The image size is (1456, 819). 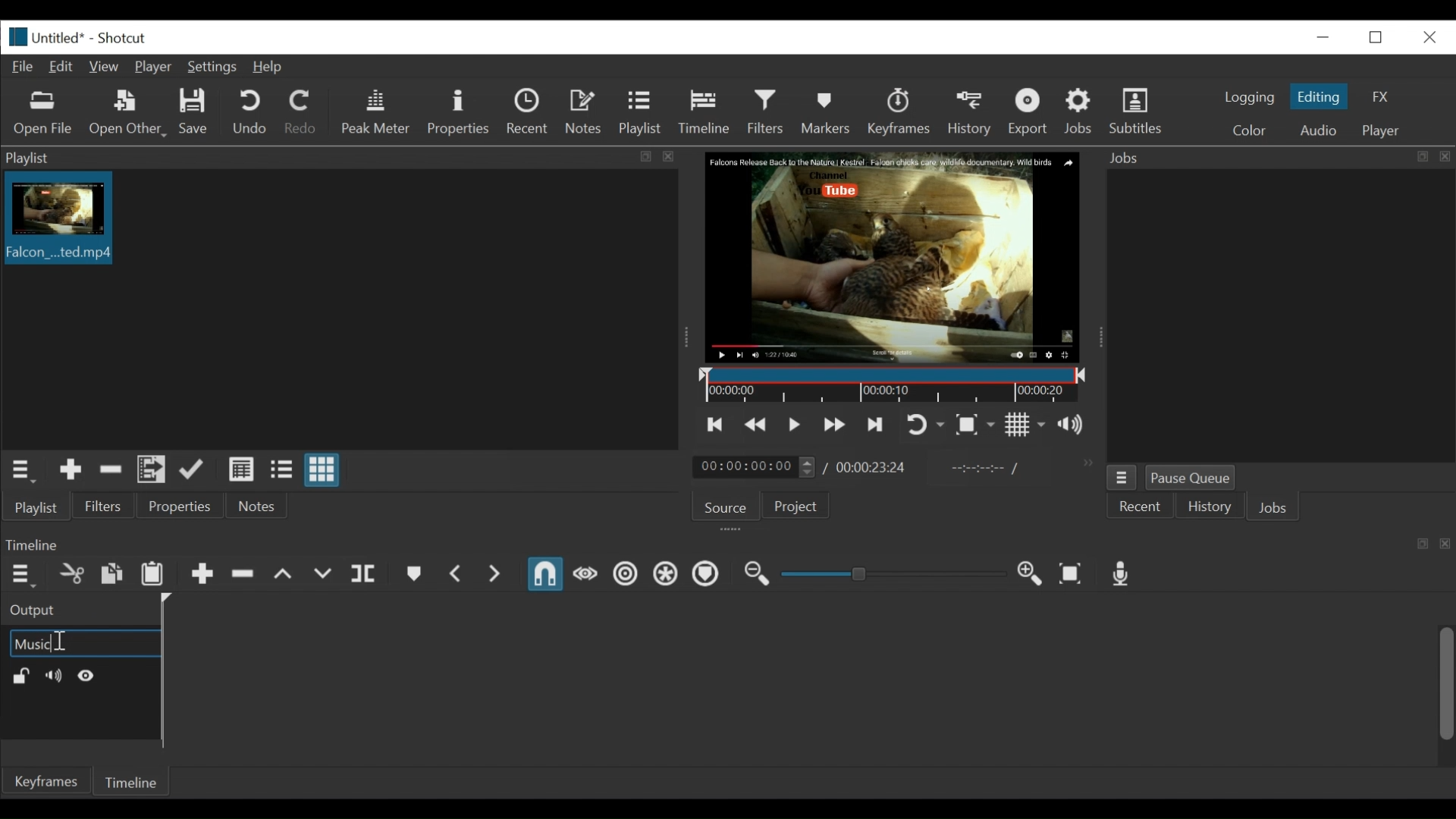 What do you see at coordinates (1032, 575) in the screenshot?
I see `Zoom Timeline in` at bounding box center [1032, 575].